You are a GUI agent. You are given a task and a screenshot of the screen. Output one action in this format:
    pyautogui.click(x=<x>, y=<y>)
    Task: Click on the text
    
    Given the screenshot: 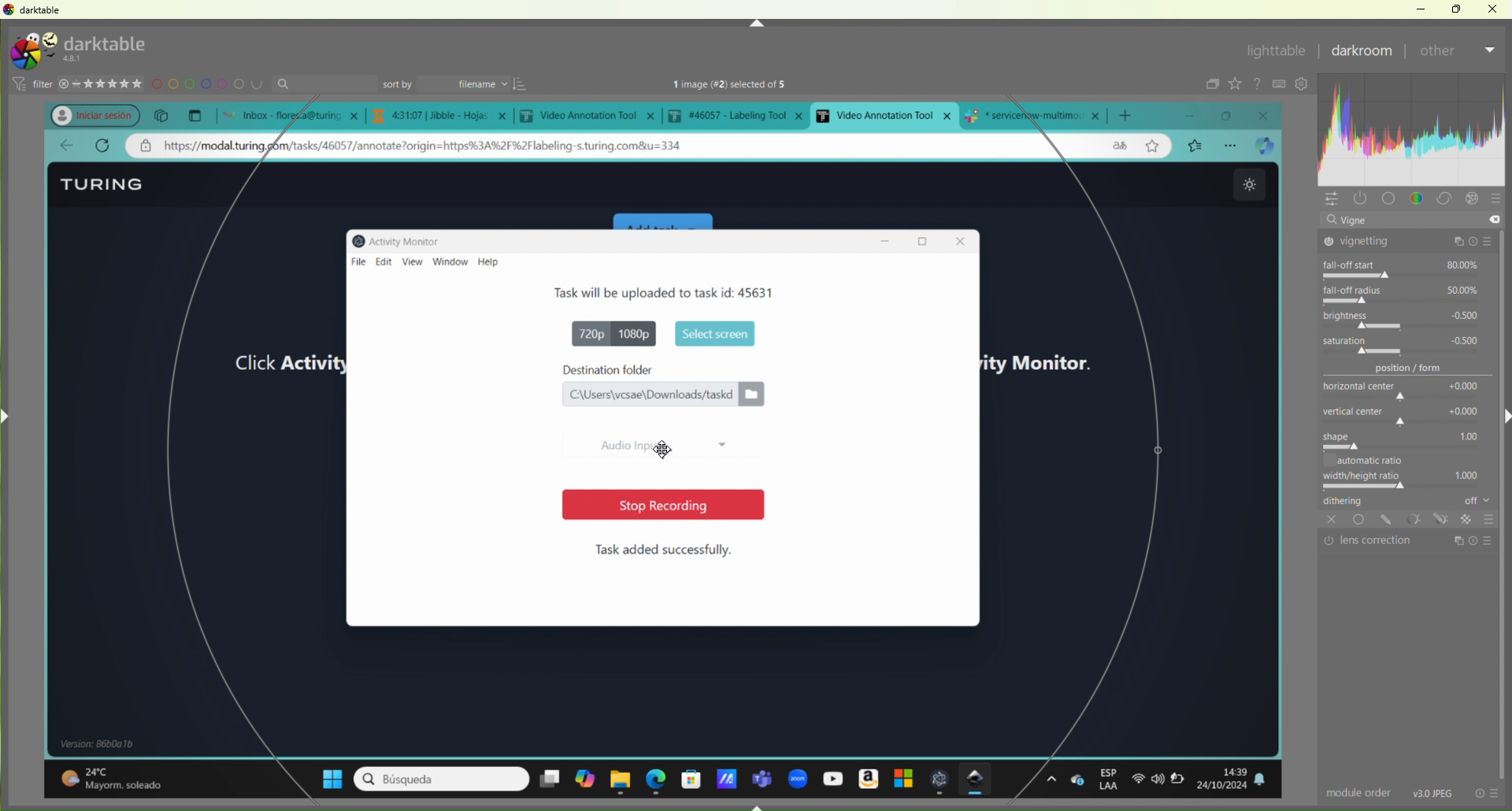 What is the action you would take?
    pyautogui.click(x=747, y=85)
    